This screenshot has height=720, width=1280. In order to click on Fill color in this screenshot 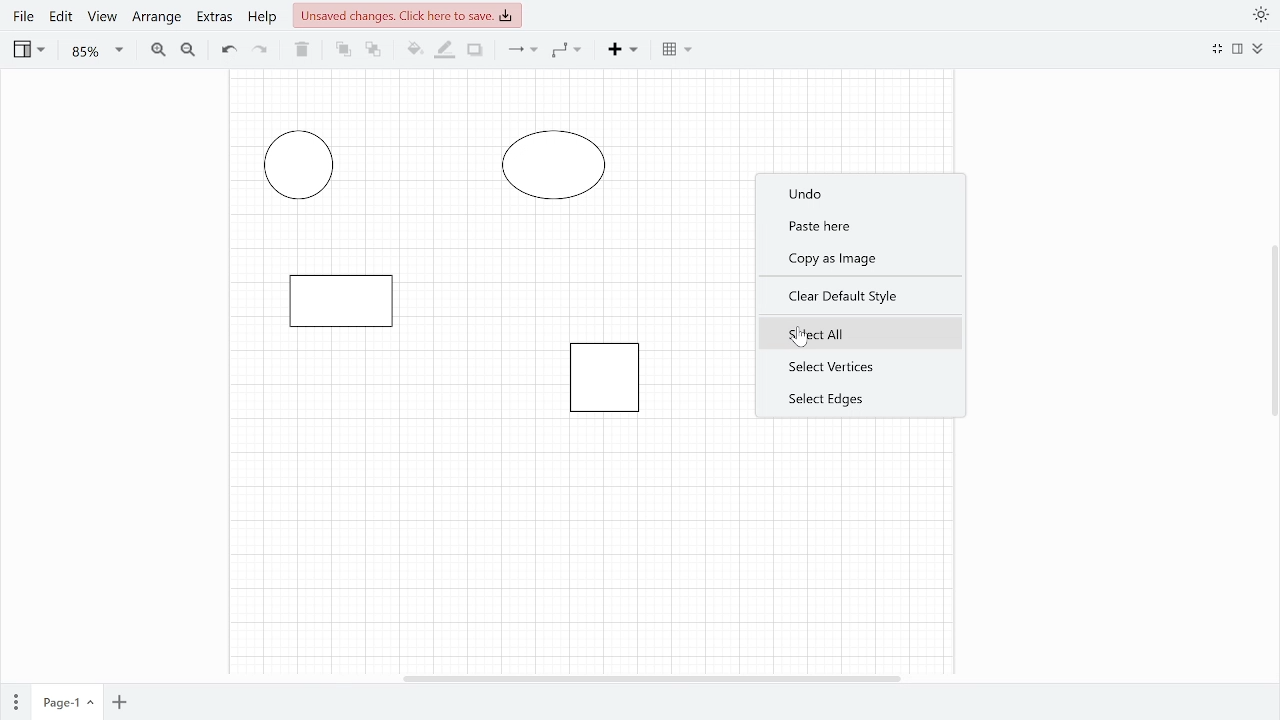, I will do `click(412, 49)`.